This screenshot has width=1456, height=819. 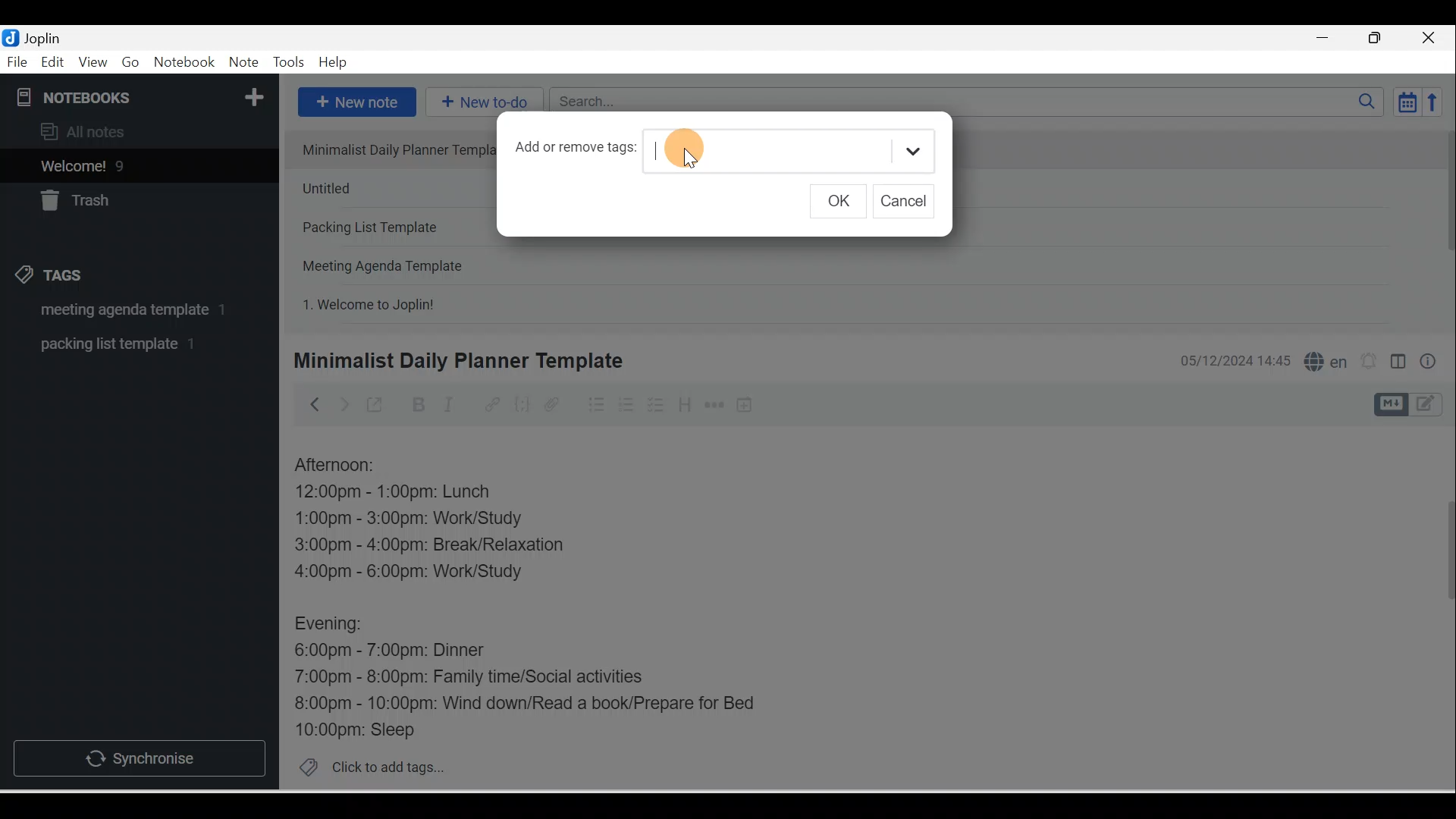 I want to click on File, so click(x=18, y=61).